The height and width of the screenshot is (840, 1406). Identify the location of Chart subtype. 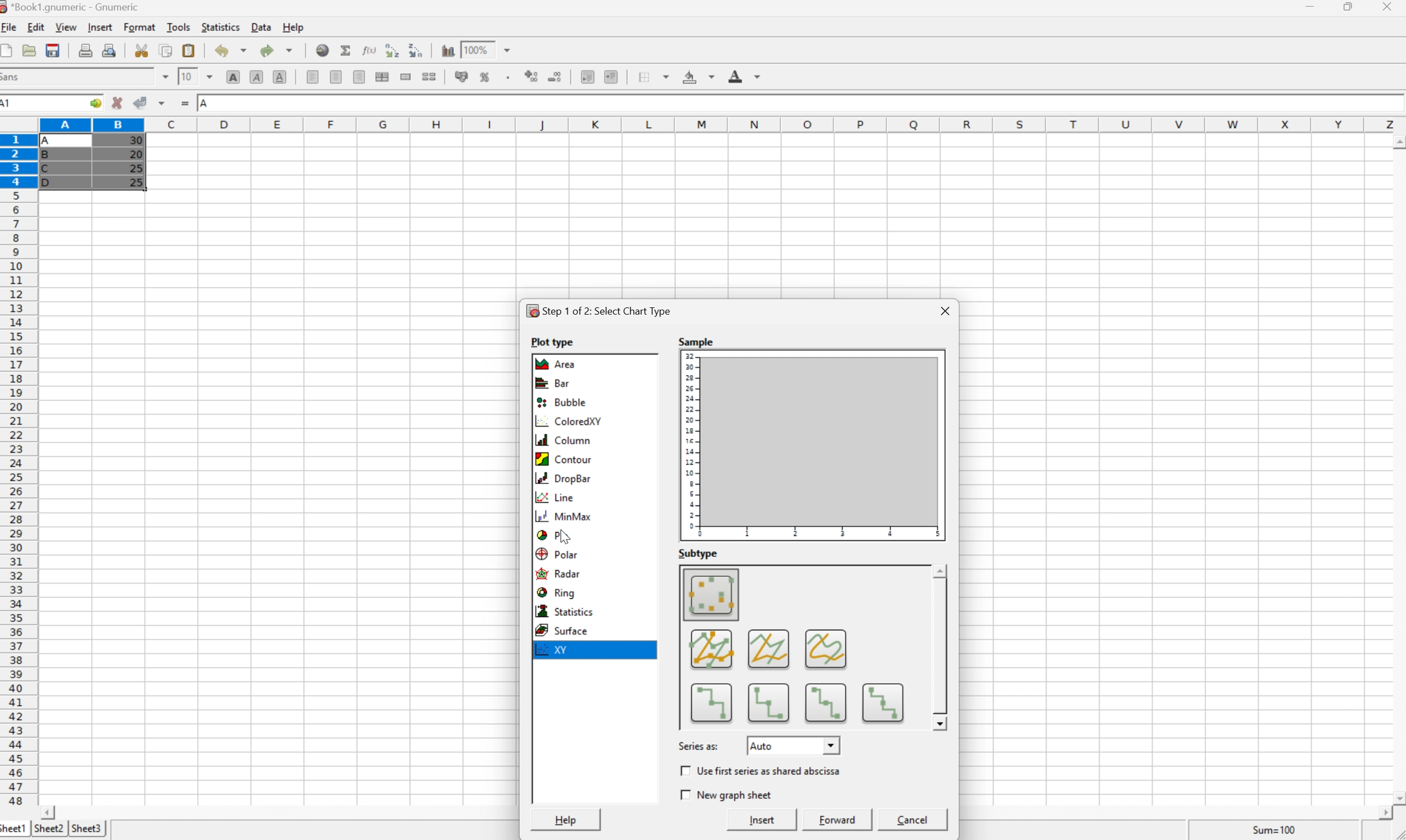
(805, 647).